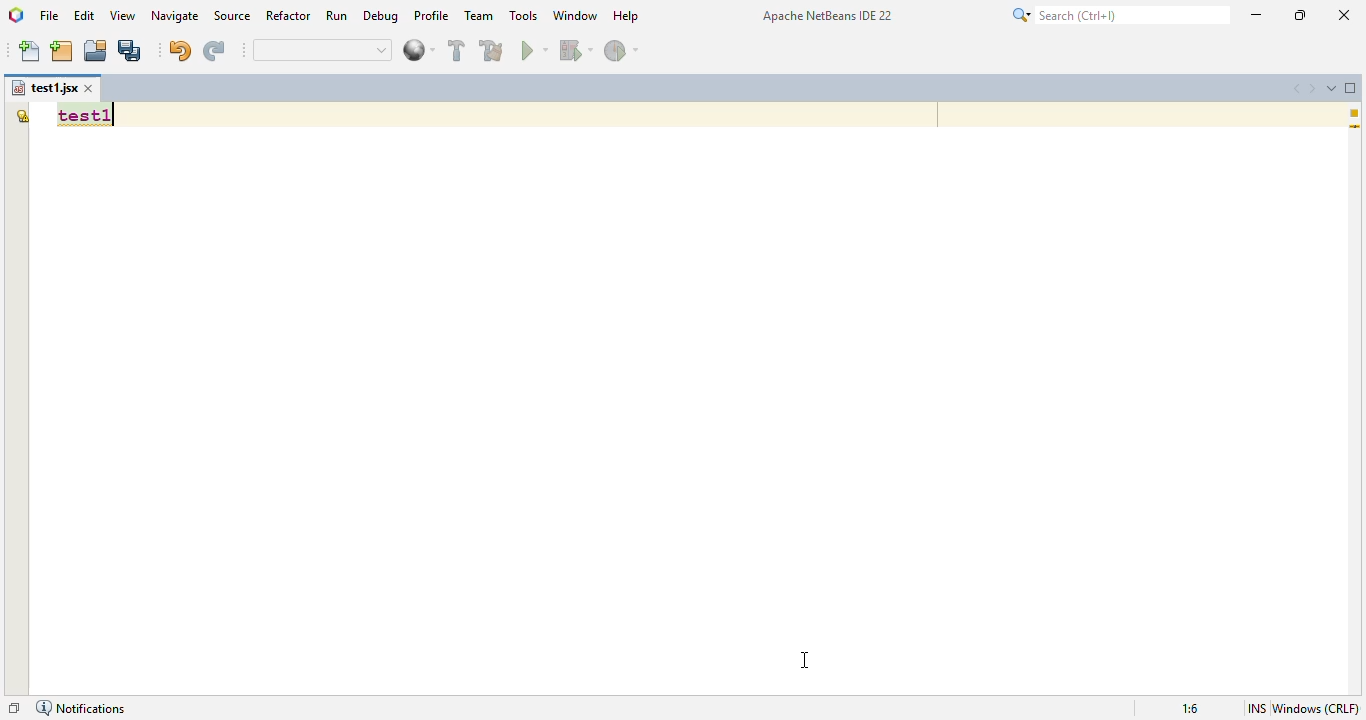 Image resolution: width=1366 pixels, height=720 pixels. Describe the element at coordinates (480, 15) in the screenshot. I see `team` at that location.